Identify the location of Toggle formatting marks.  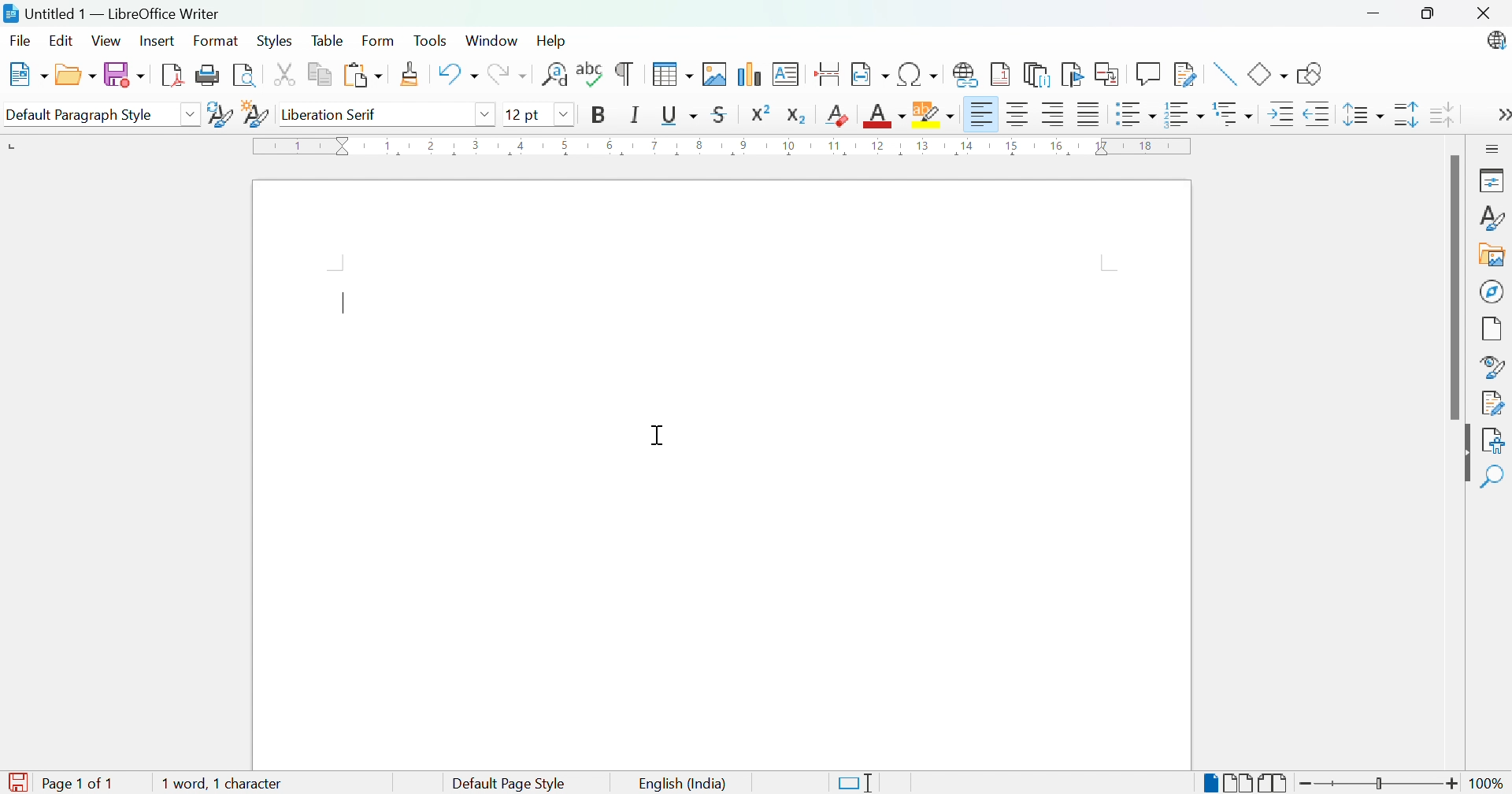
(624, 74).